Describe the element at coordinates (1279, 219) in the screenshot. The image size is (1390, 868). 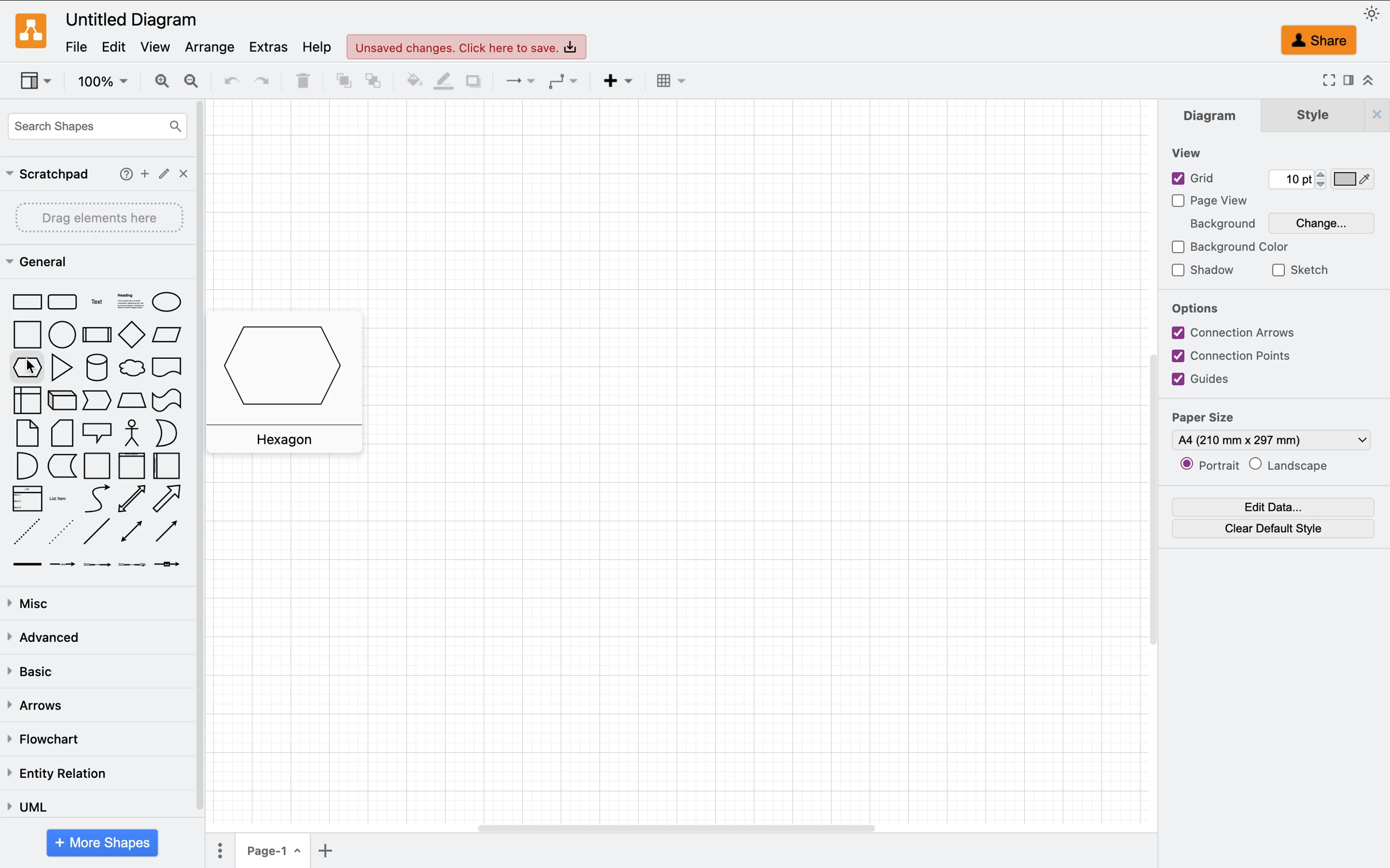
I see `change background` at that location.